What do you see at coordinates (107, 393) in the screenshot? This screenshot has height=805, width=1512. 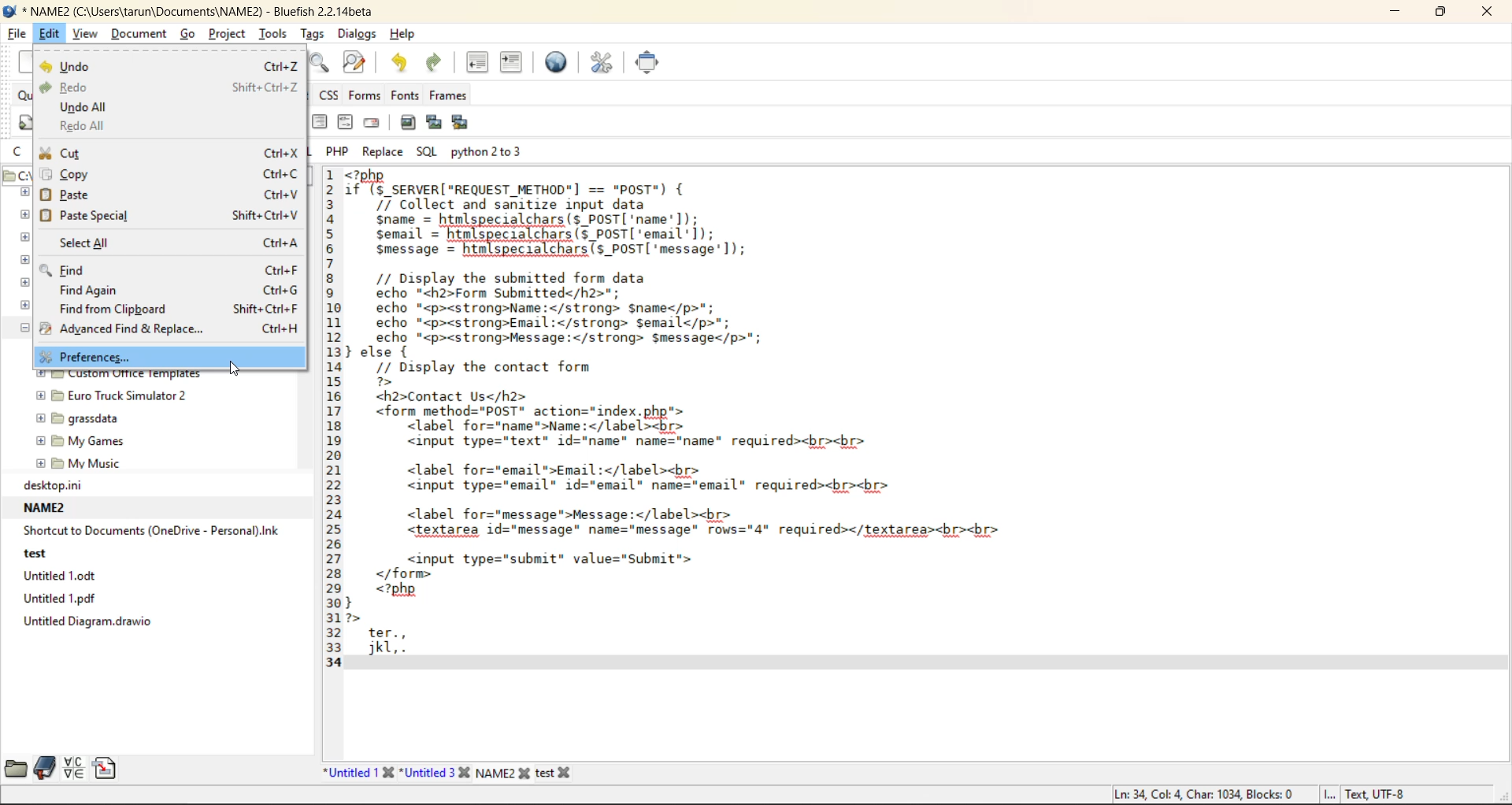 I see `euro truck simulator 2` at bounding box center [107, 393].